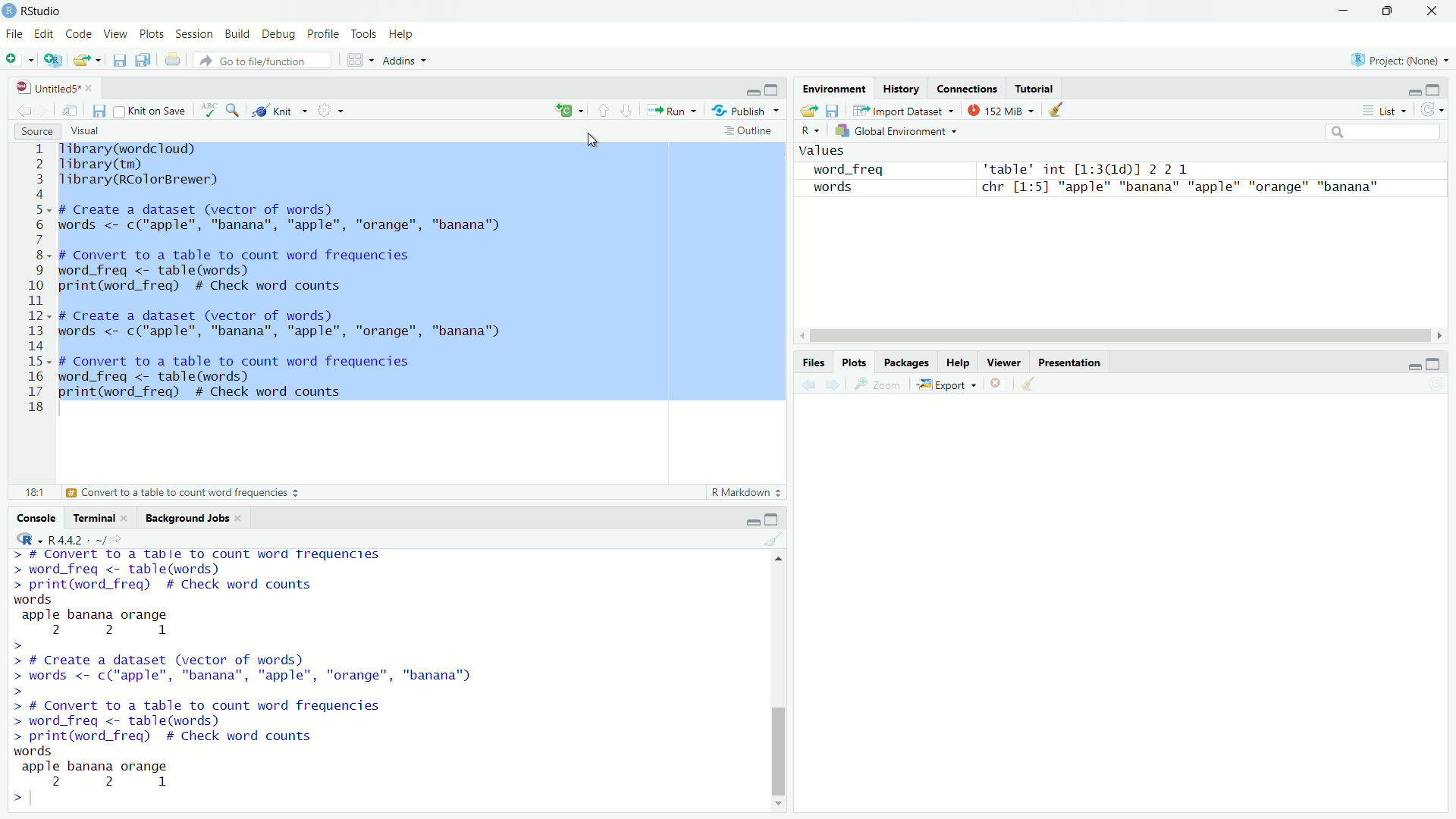 Image resolution: width=1456 pixels, height=819 pixels. I want to click on Environment, so click(833, 89).